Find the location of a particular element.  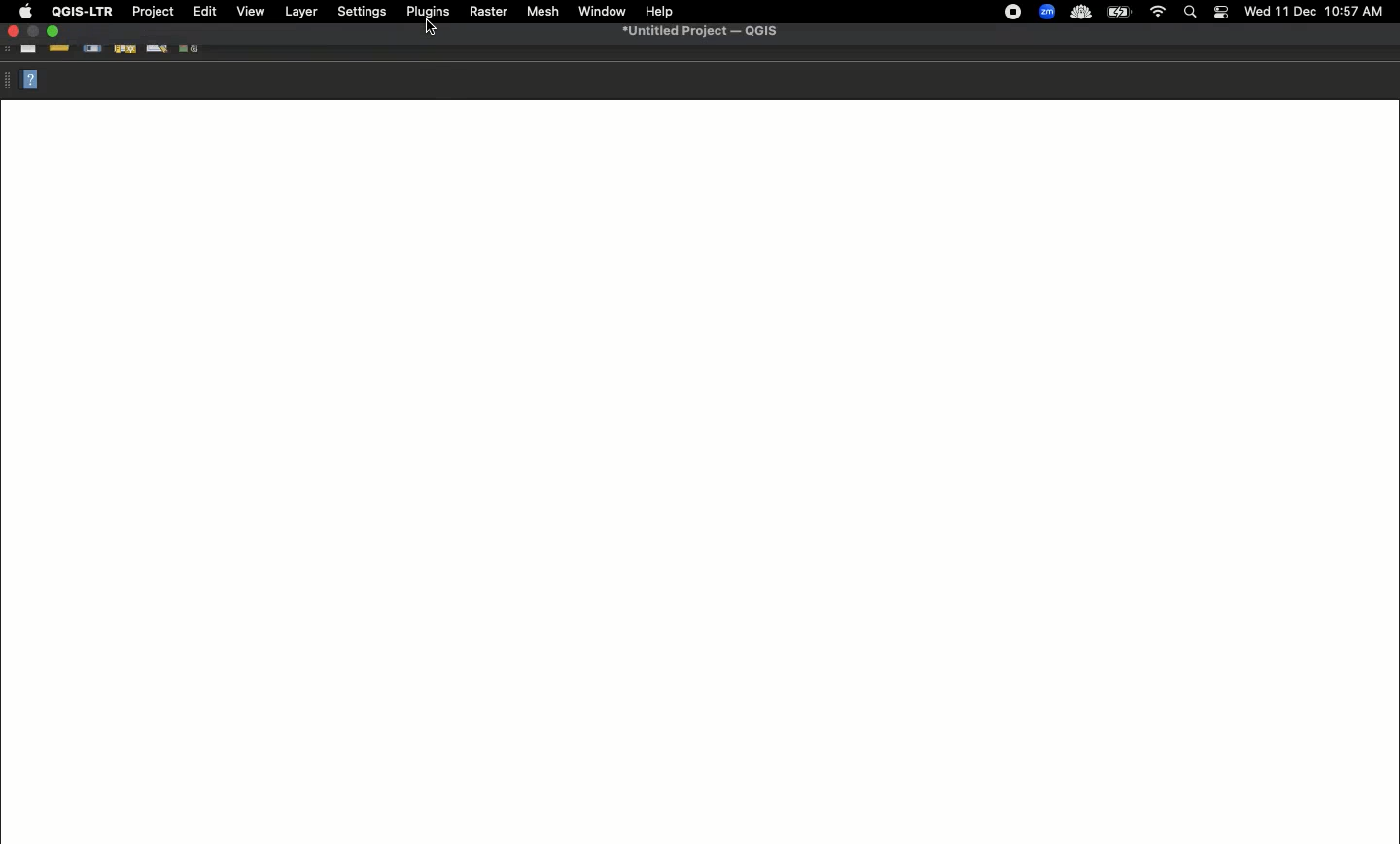

cursor is located at coordinates (428, 29).